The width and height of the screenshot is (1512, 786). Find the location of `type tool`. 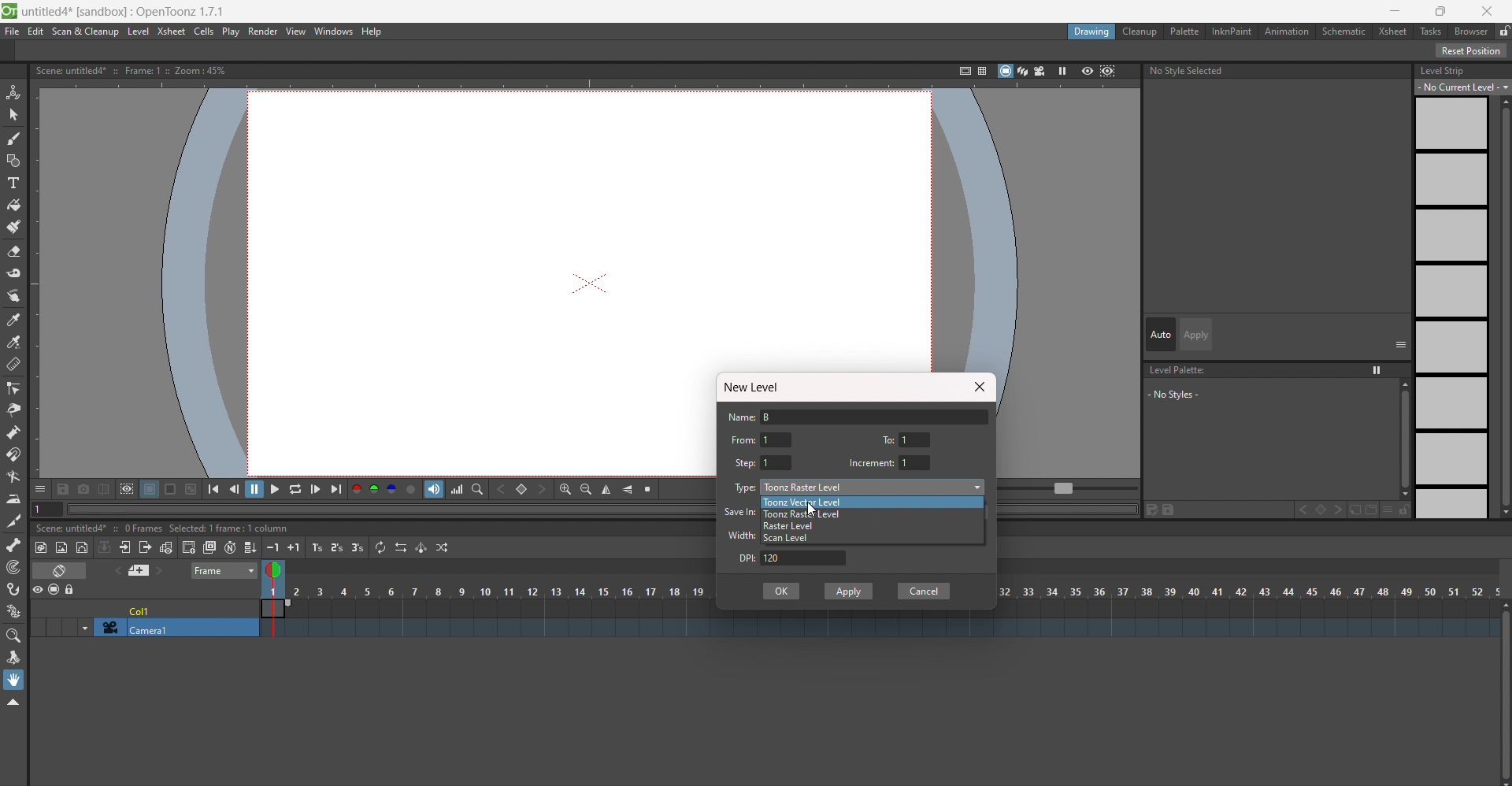

type tool is located at coordinates (13, 184).